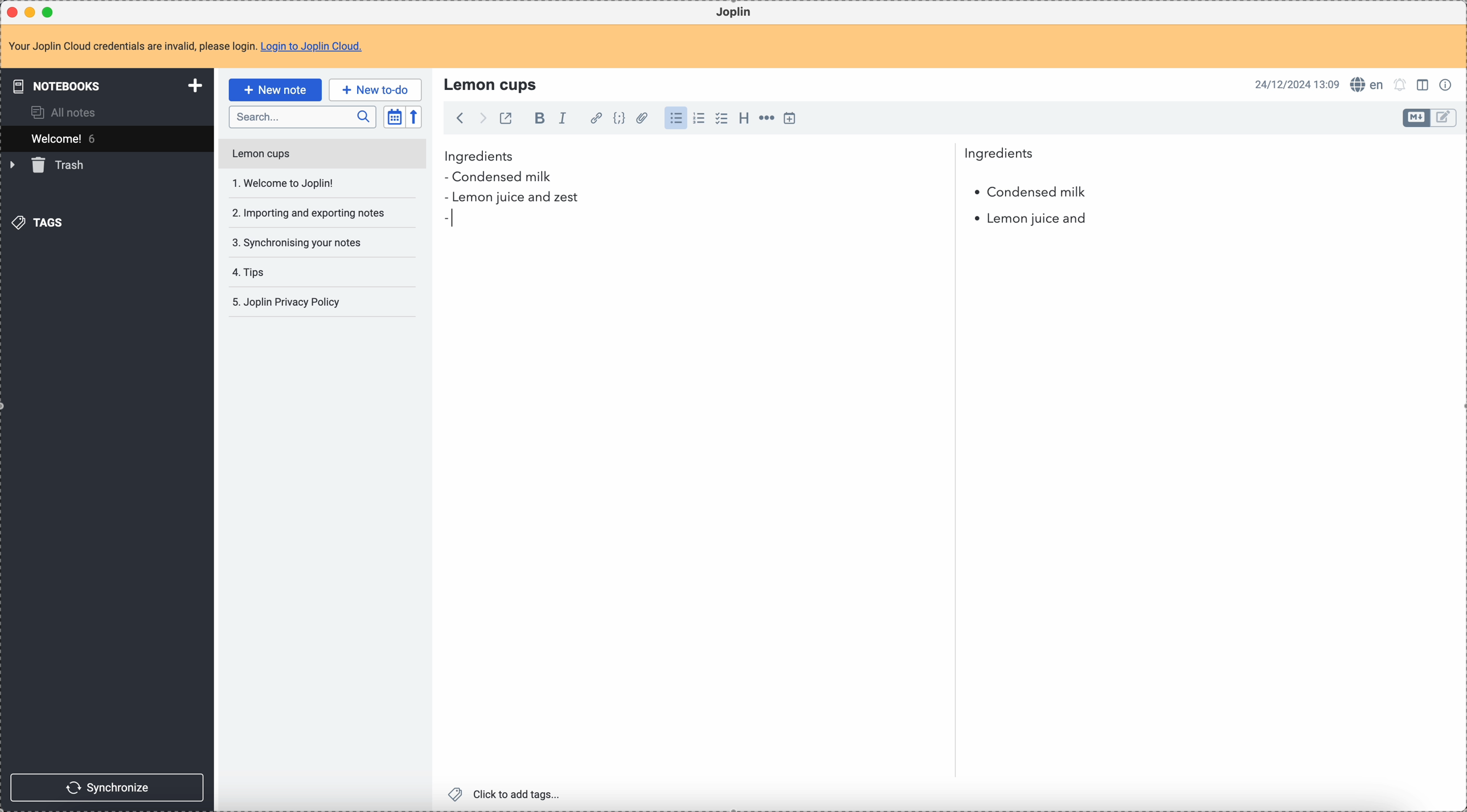  What do you see at coordinates (733, 13) in the screenshot?
I see `Joplin` at bounding box center [733, 13].